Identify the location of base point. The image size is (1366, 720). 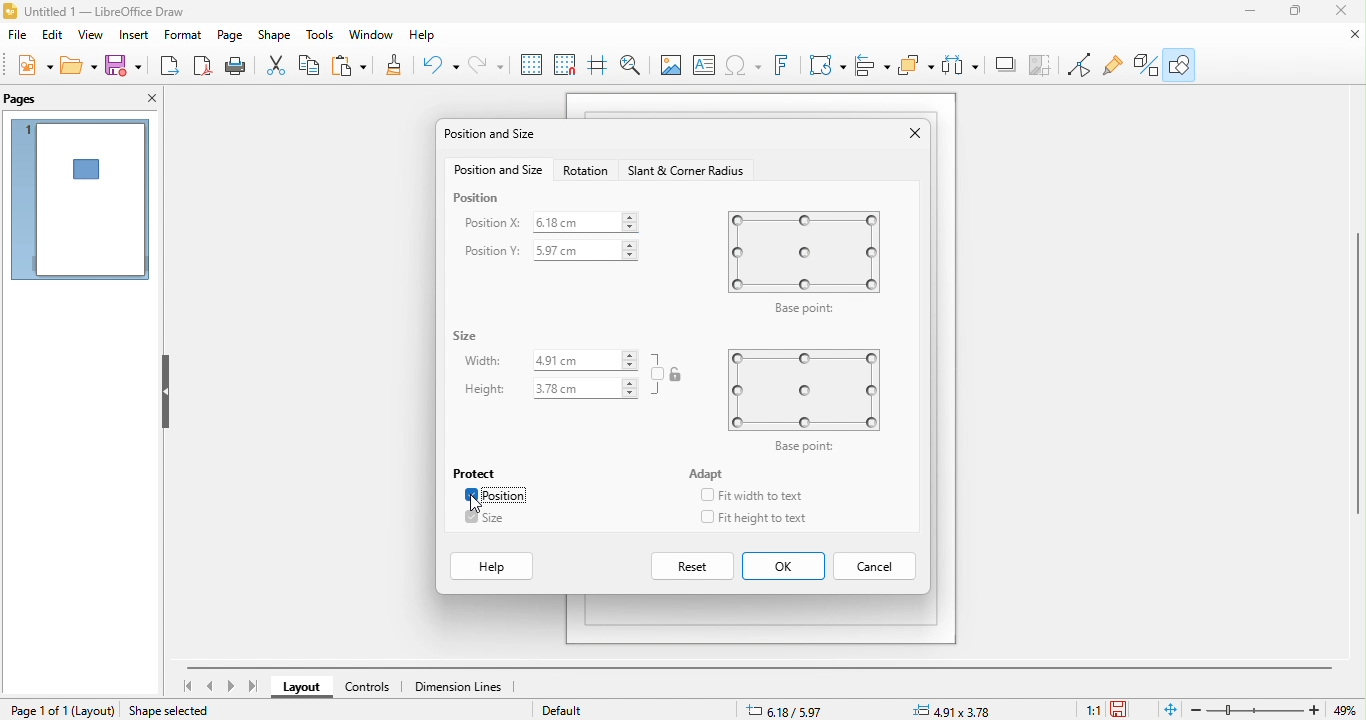
(802, 262).